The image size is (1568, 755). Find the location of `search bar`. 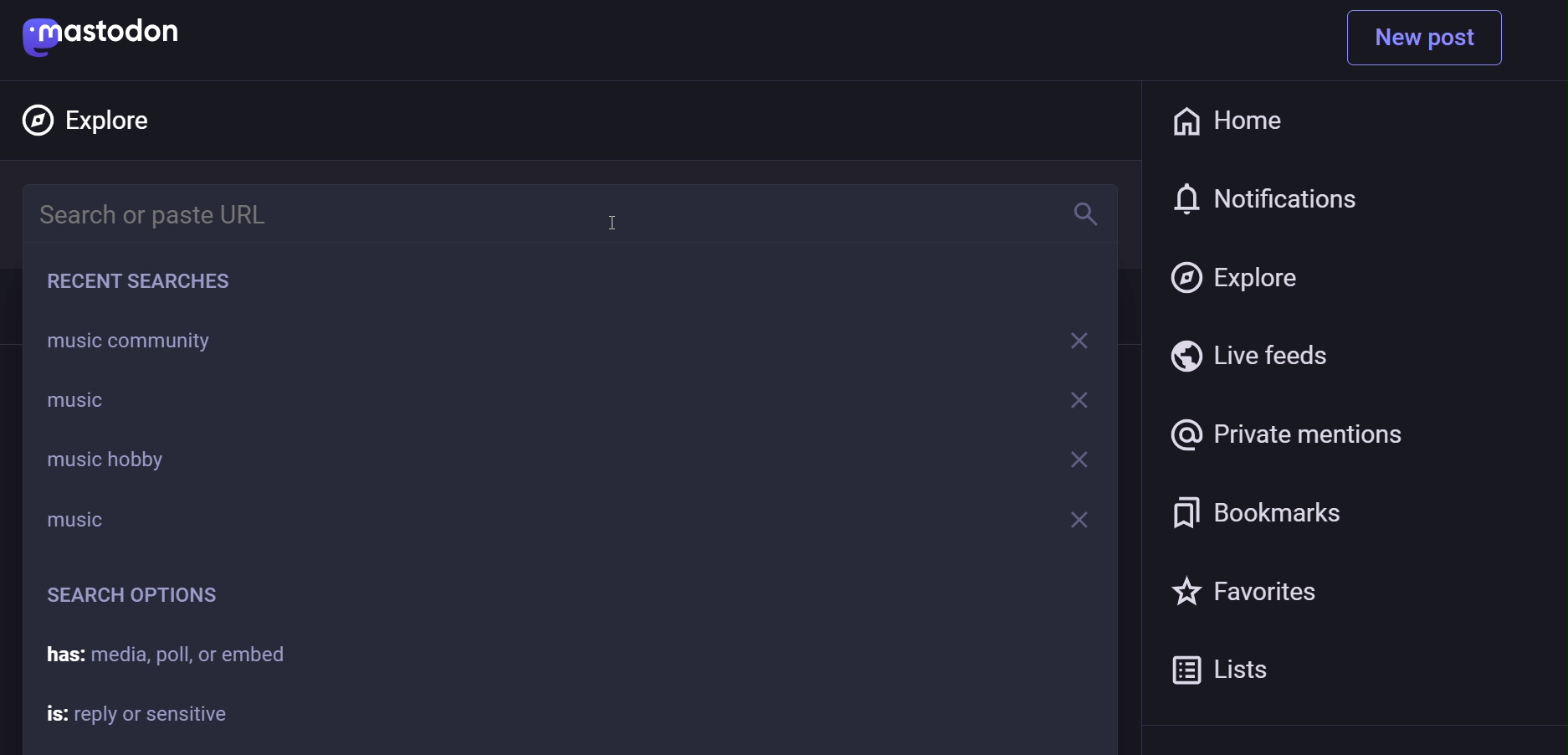

search bar is located at coordinates (530, 212).